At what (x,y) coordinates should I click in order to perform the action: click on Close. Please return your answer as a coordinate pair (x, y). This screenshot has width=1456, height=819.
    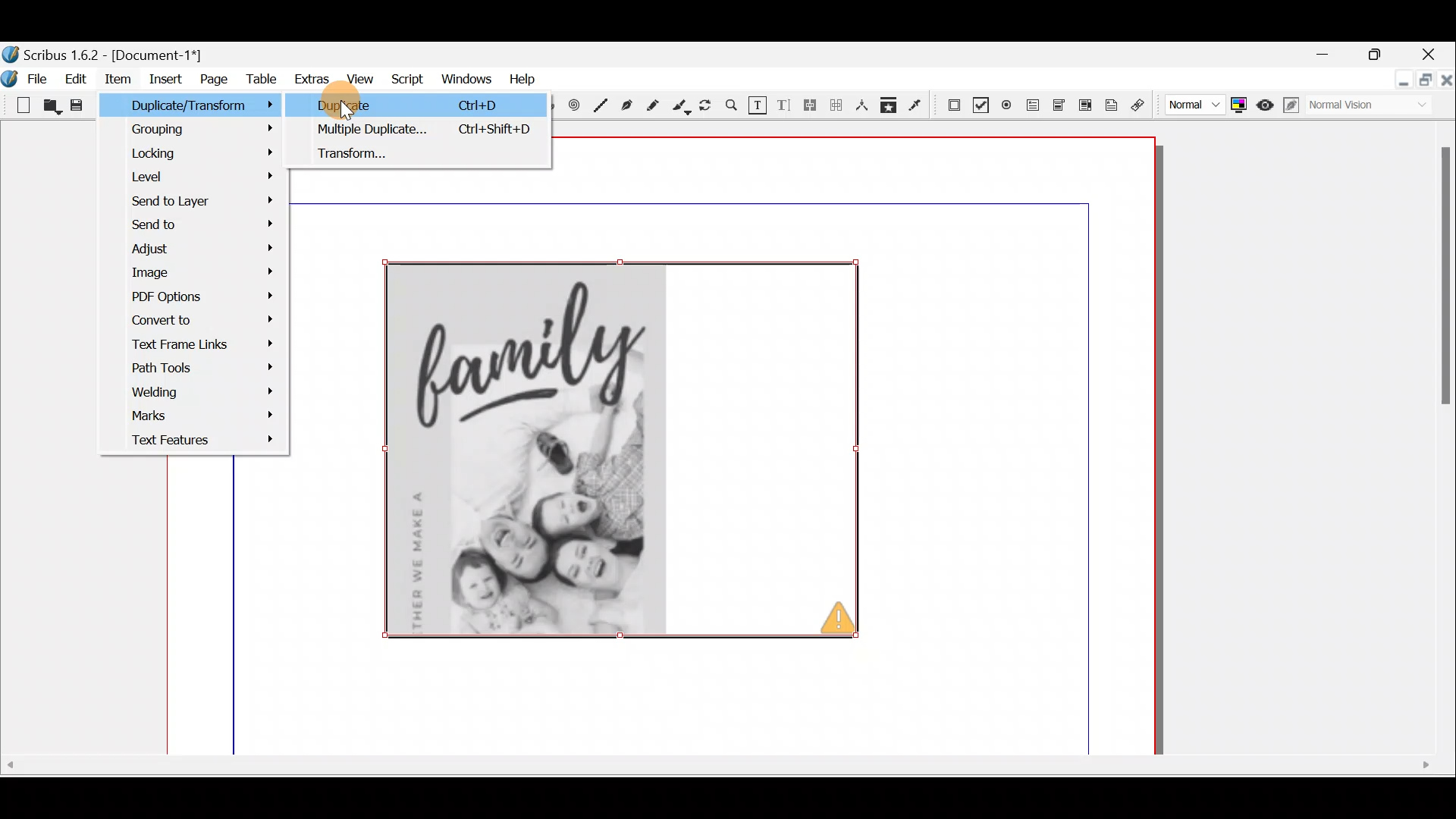
    Looking at the image, I should click on (1434, 51).